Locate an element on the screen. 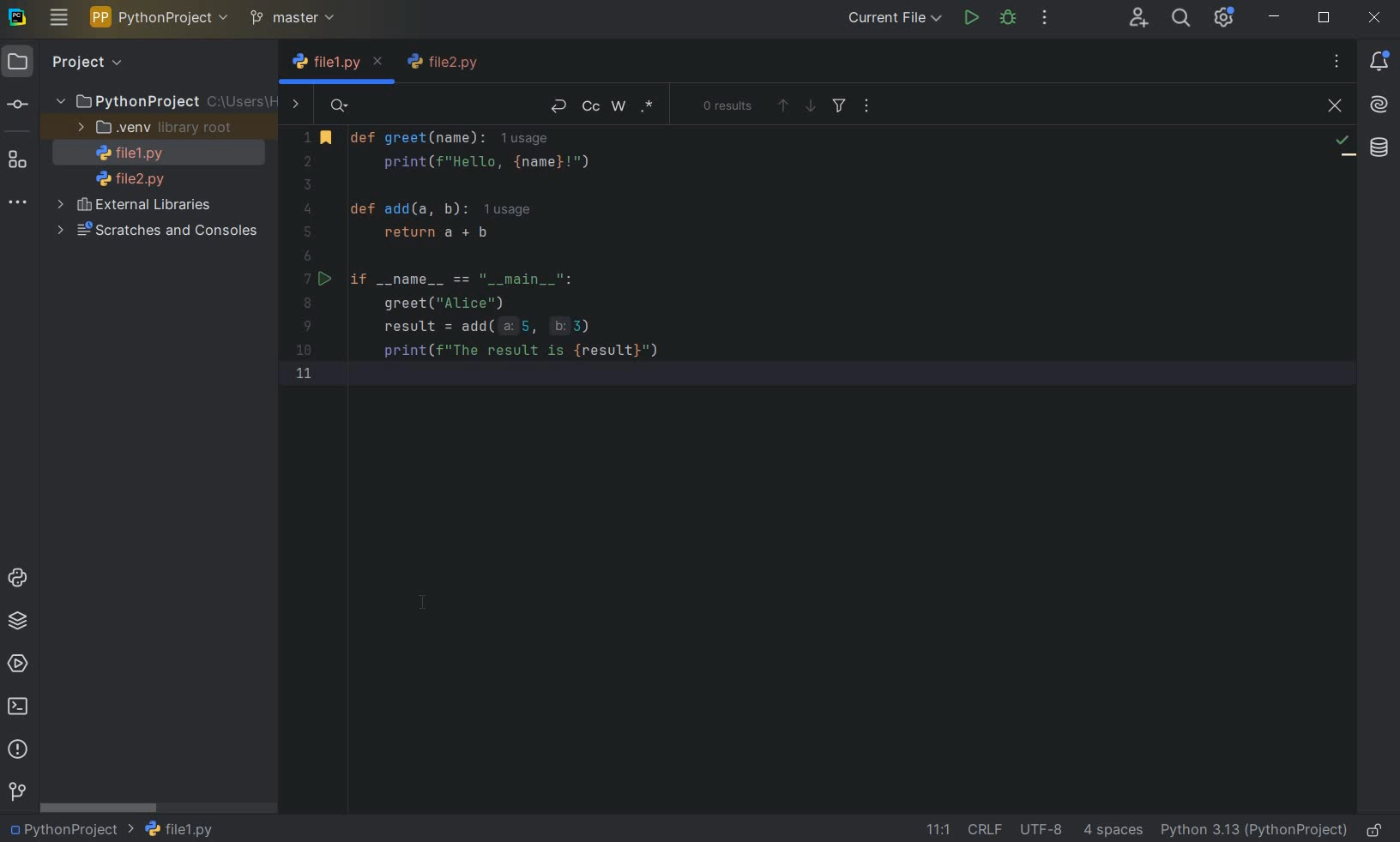 This screenshot has width=1400, height=842. MATCH CASE is located at coordinates (592, 106).